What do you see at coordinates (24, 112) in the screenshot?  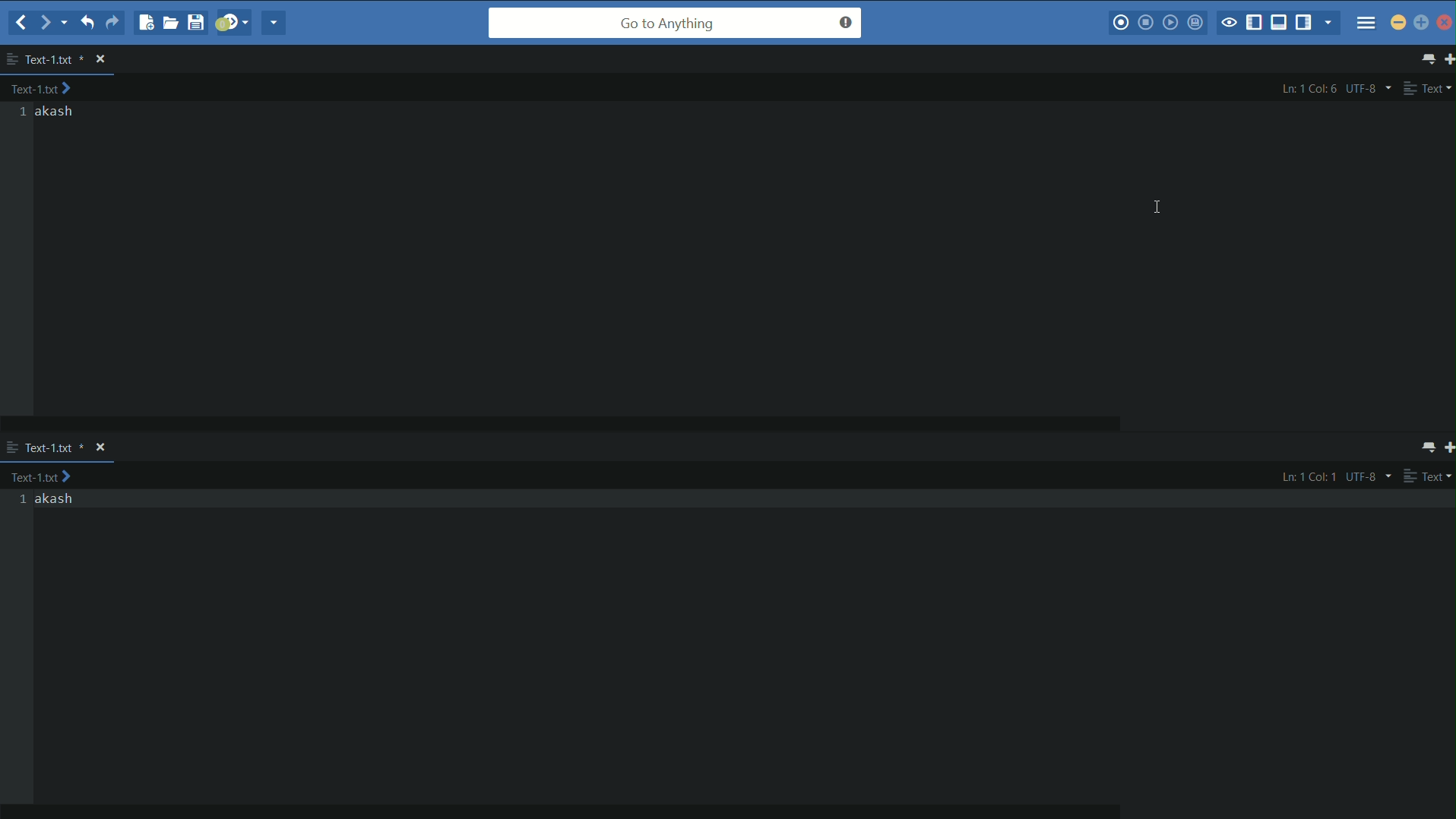 I see `line nnumber` at bounding box center [24, 112].